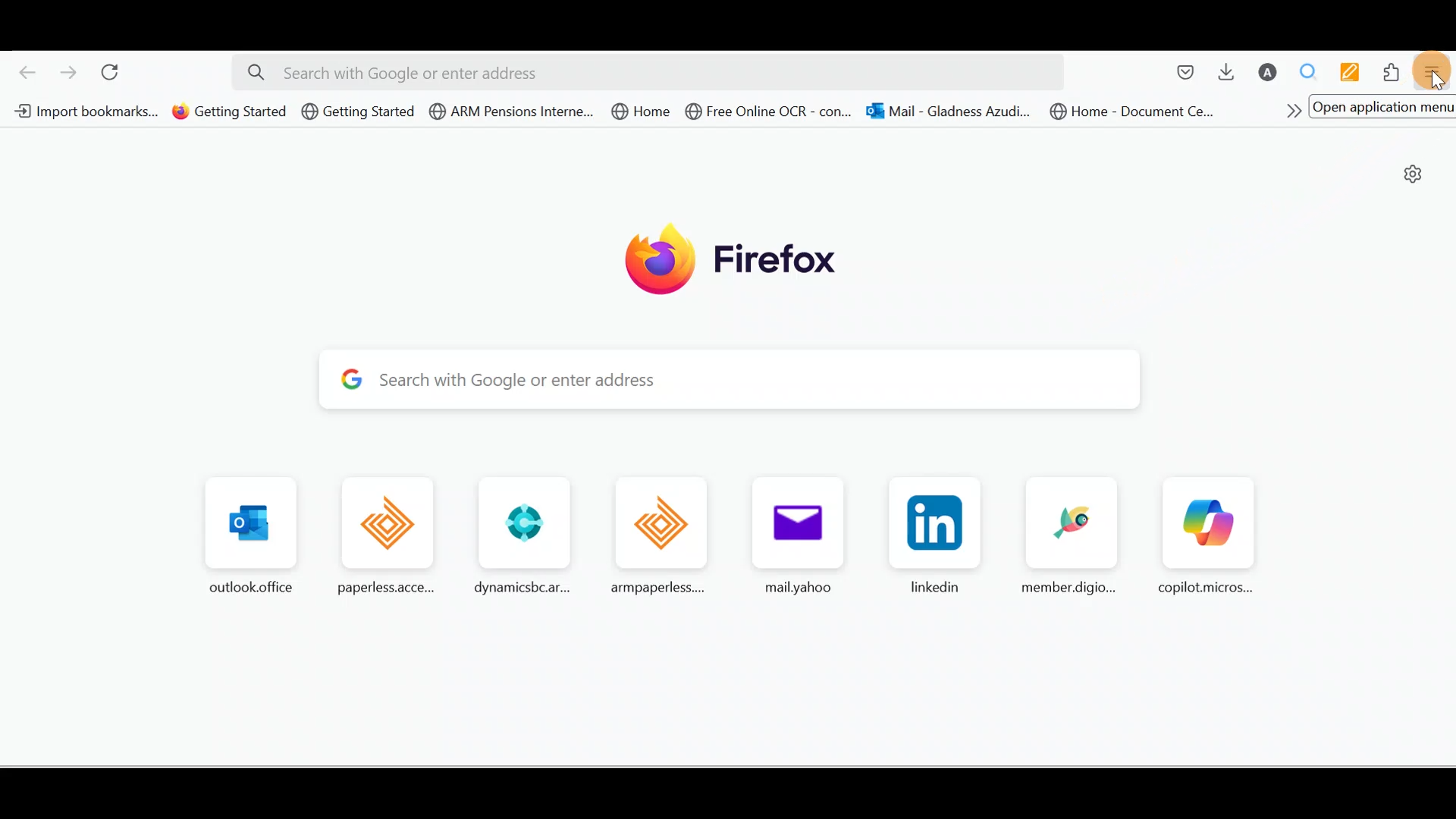 This screenshot has width=1456, height=819. What do you see at coordinates (83, 112) in the screenshot?
I see `Bookmark 1` at bounding box center [83, 112].